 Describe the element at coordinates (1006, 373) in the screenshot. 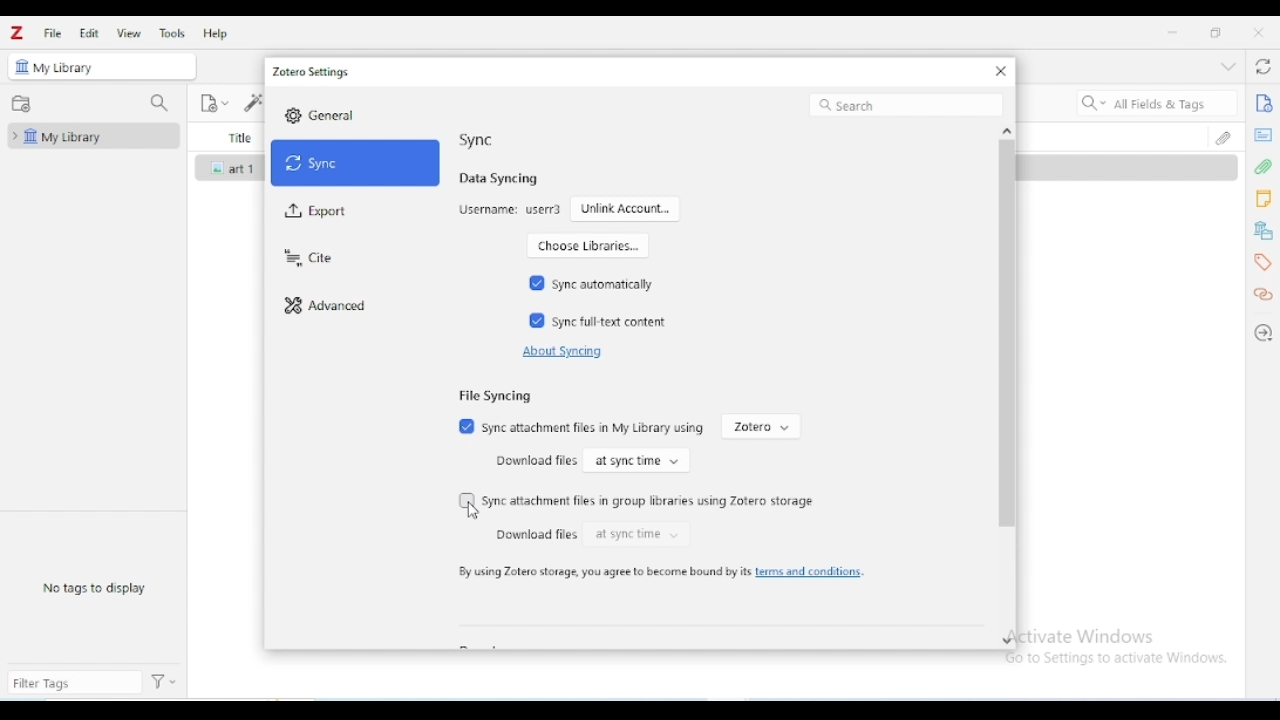

I see `vertical scroll bar` at that location.